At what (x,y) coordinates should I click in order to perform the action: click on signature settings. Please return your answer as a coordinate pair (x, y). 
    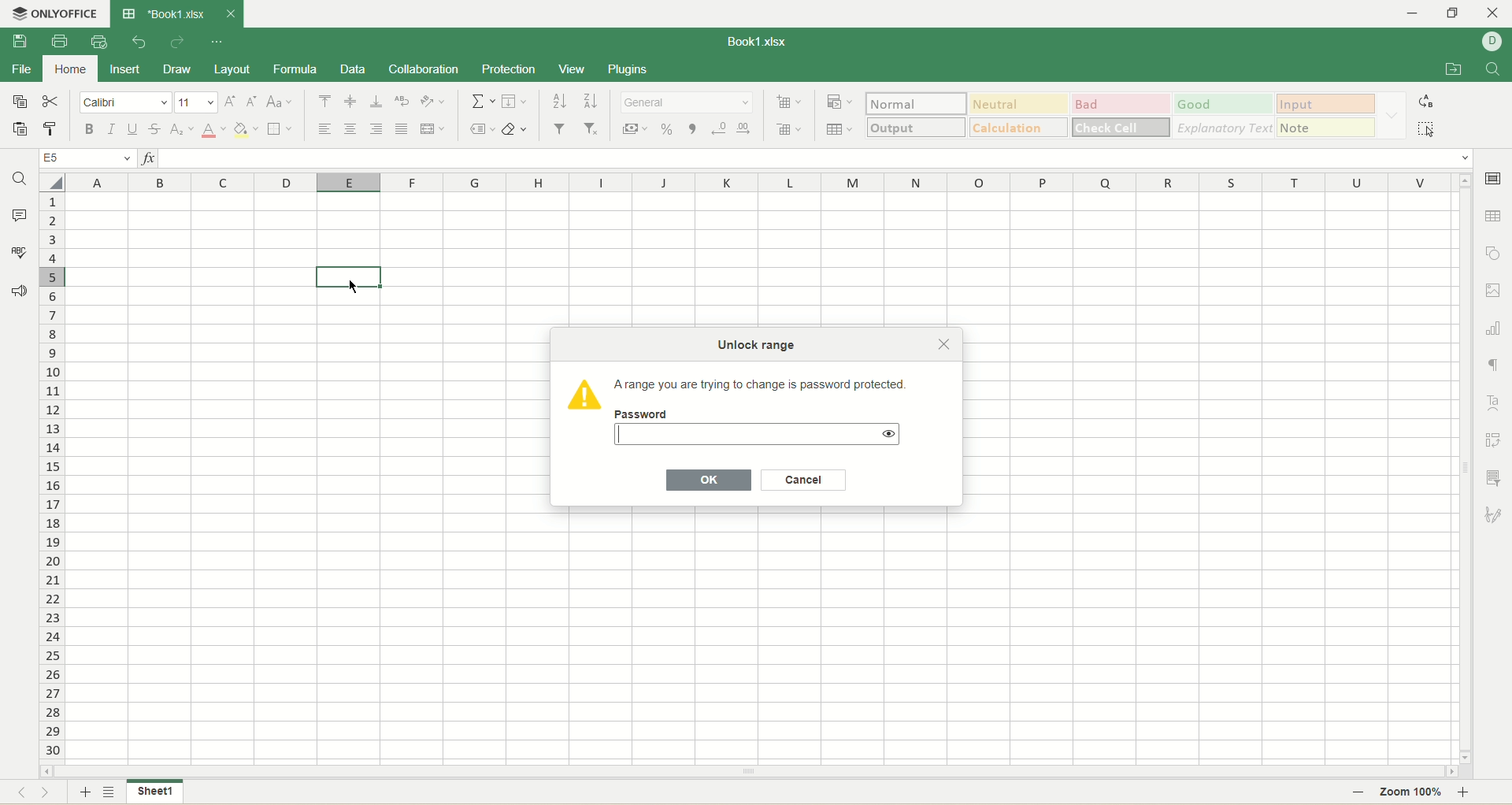
    Looking at the image, I should click on (1495, 515).